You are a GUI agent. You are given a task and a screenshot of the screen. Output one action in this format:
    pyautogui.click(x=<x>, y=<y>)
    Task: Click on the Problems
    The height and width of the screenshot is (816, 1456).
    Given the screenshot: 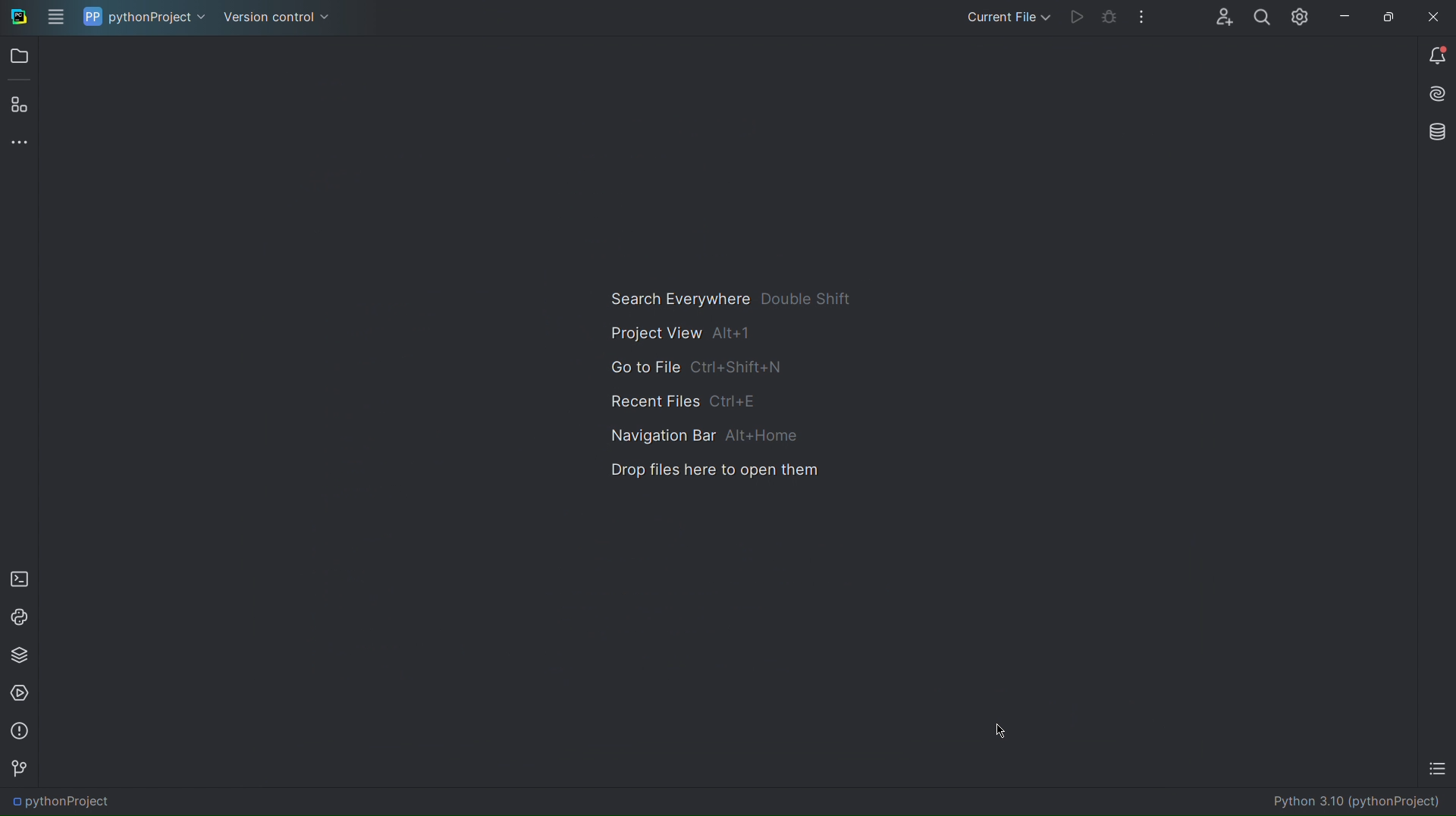 What is the action you would take?
    pyautogui.click(x=20, y=732)
    